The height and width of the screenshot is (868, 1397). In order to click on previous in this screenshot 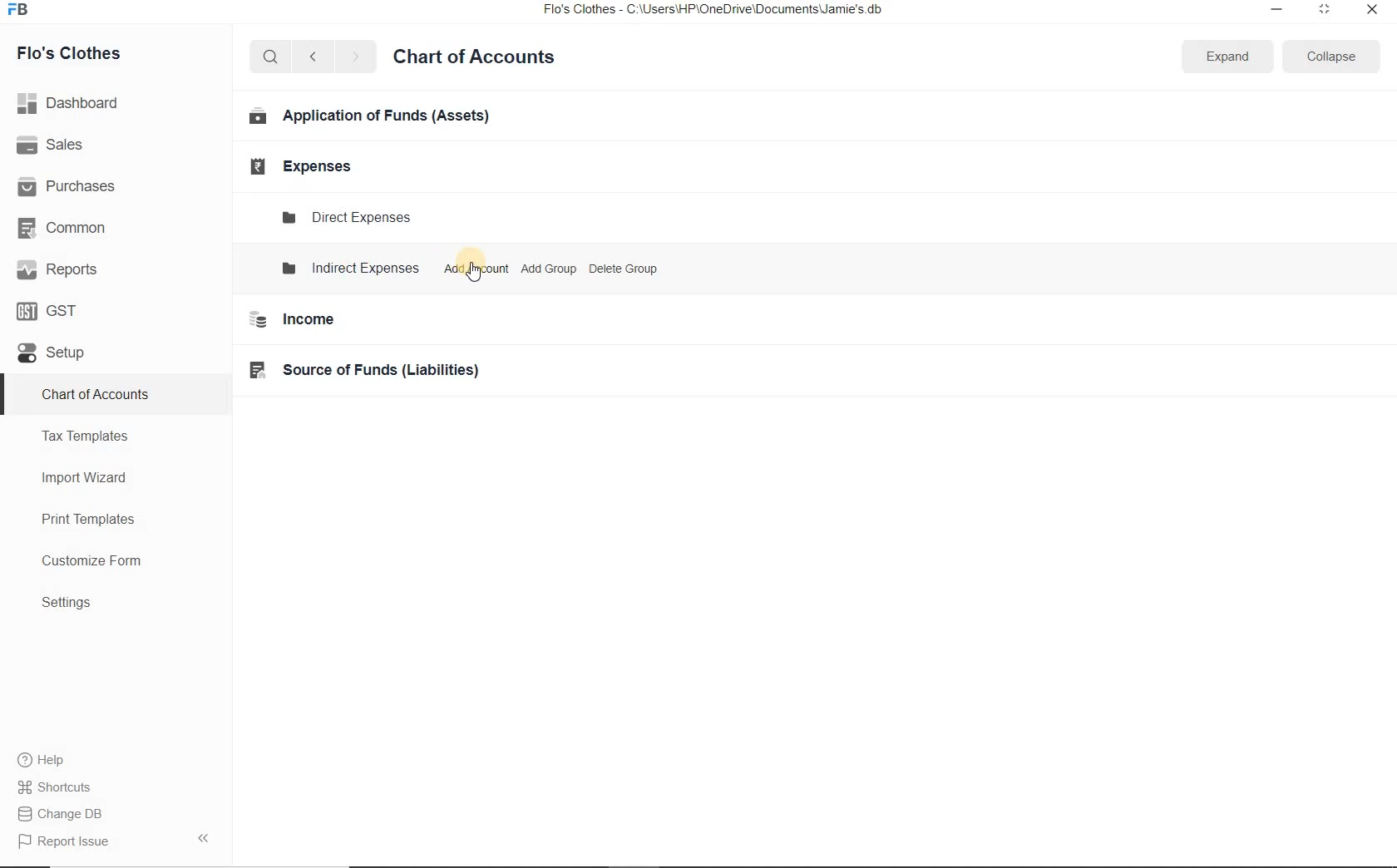, I will do `click(312, 57)`.